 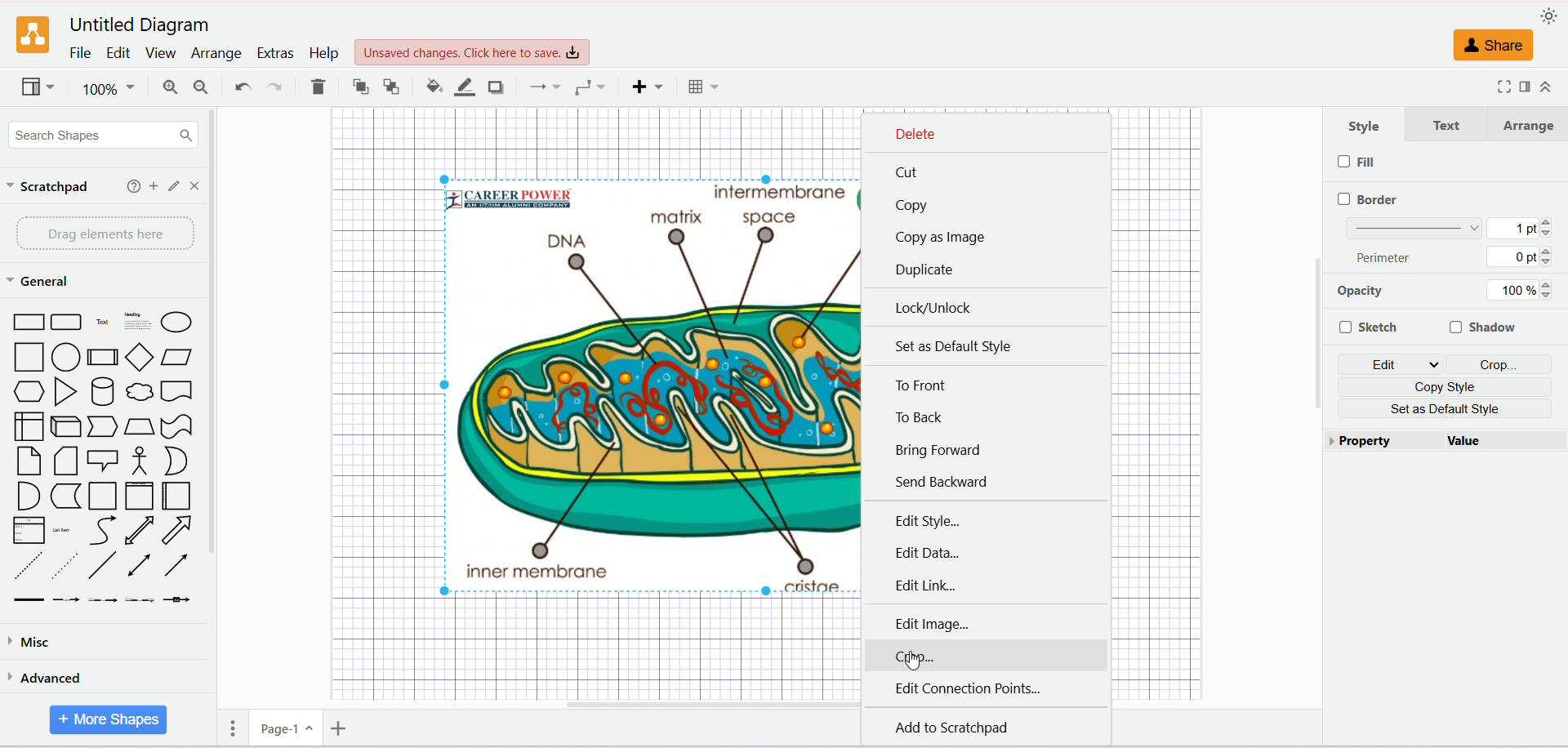 I want to click on pages, so click(x=238, y=727).